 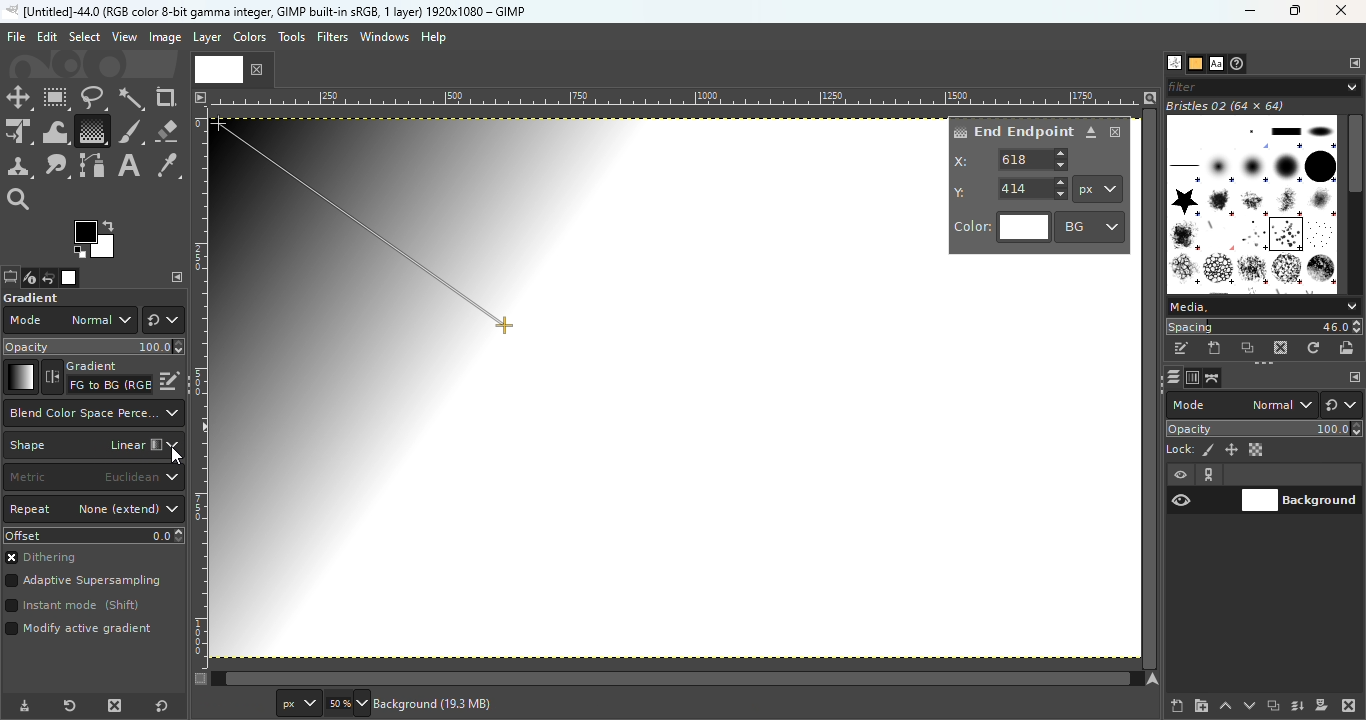 What do you see at coordinates (84, 583) in the screenshot?
I see `Adaptive supersampling` at bounding box center [84, 583].